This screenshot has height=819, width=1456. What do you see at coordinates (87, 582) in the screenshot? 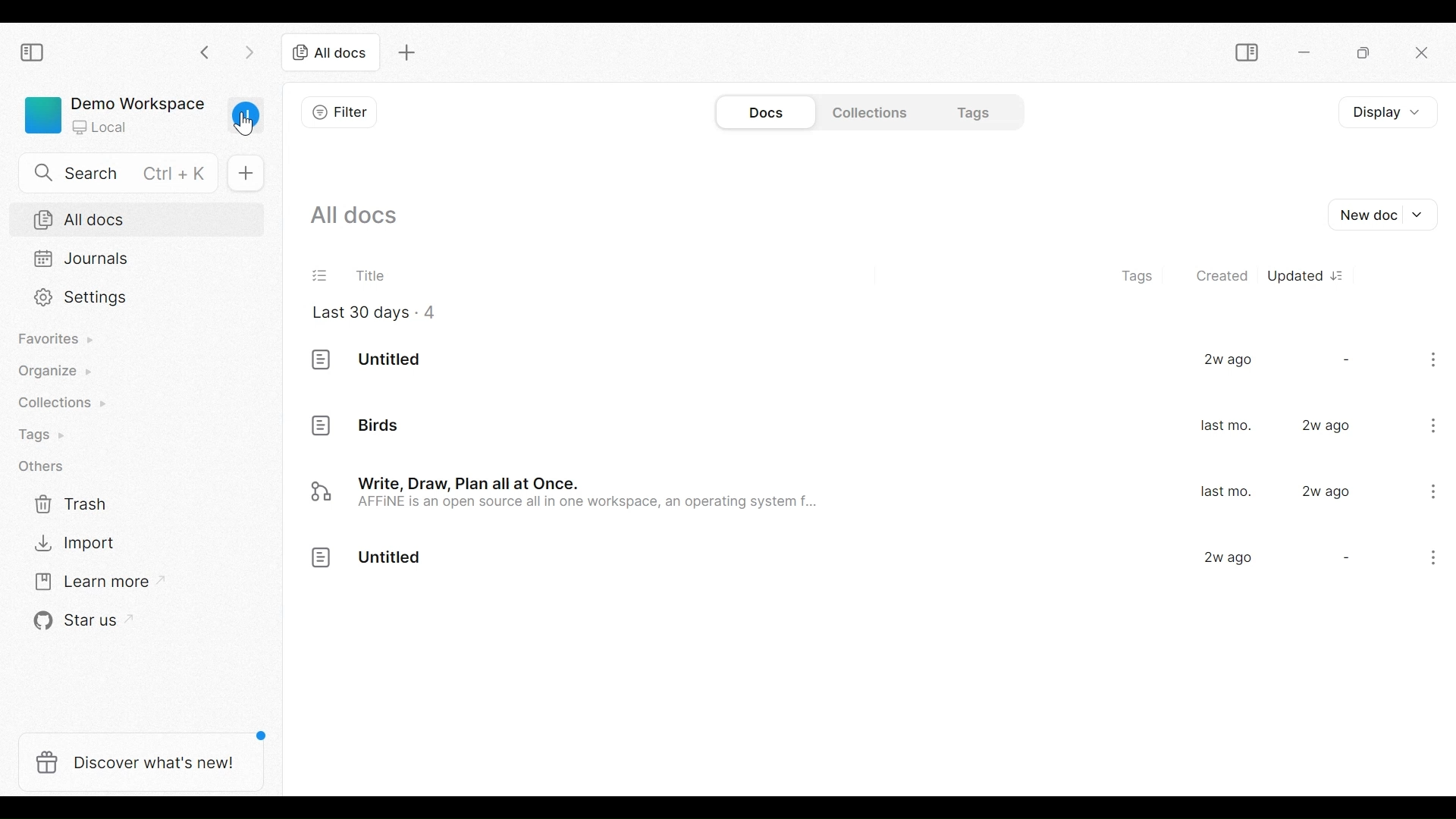
I see `Learn more` at bounding box center [87, 582].